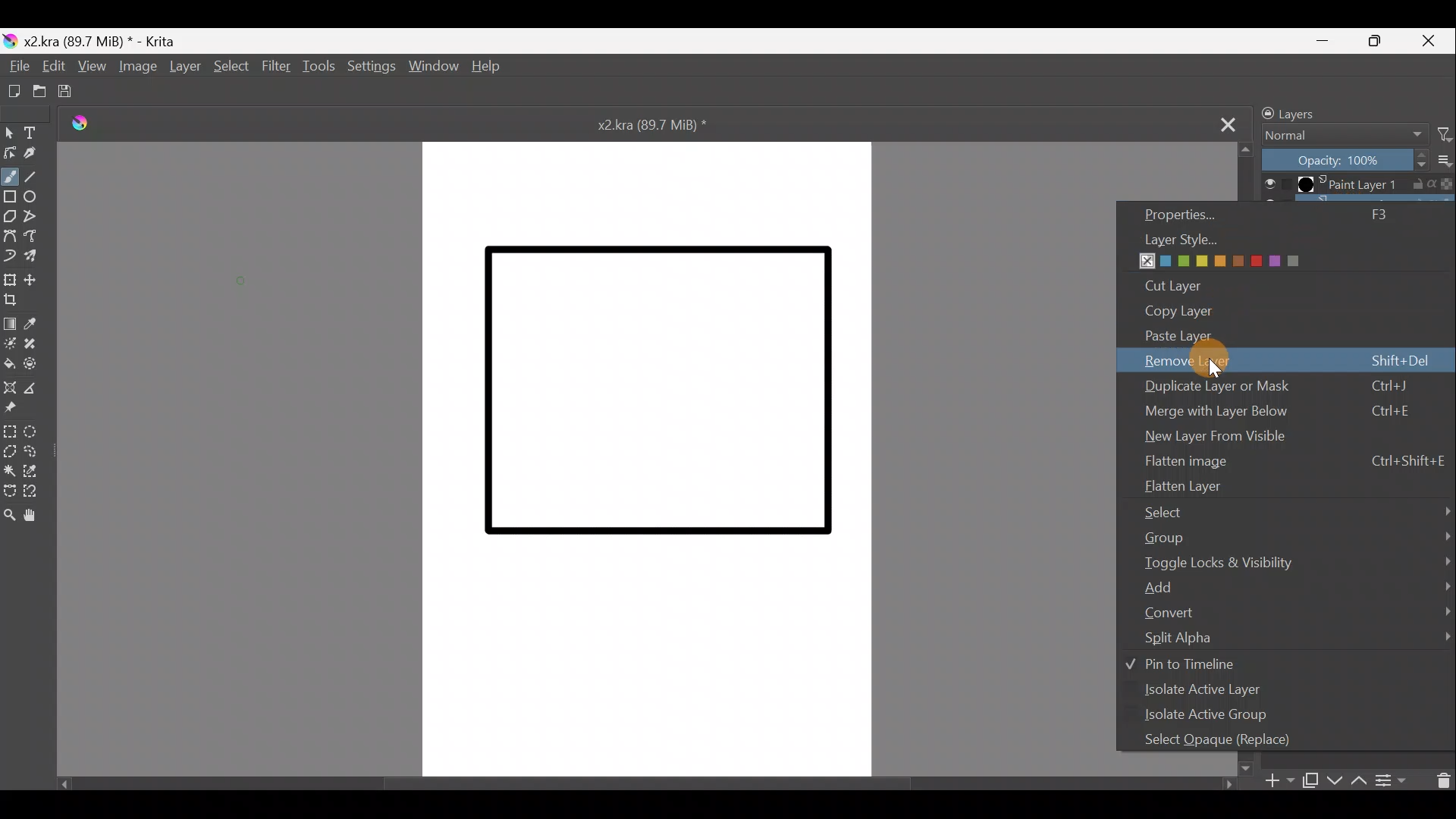 The image size is (1456, 819). What do you see at coordinates (1219, 433) in the screenshot?
I see `New layer from visible` at bounding box center [1219, 433].